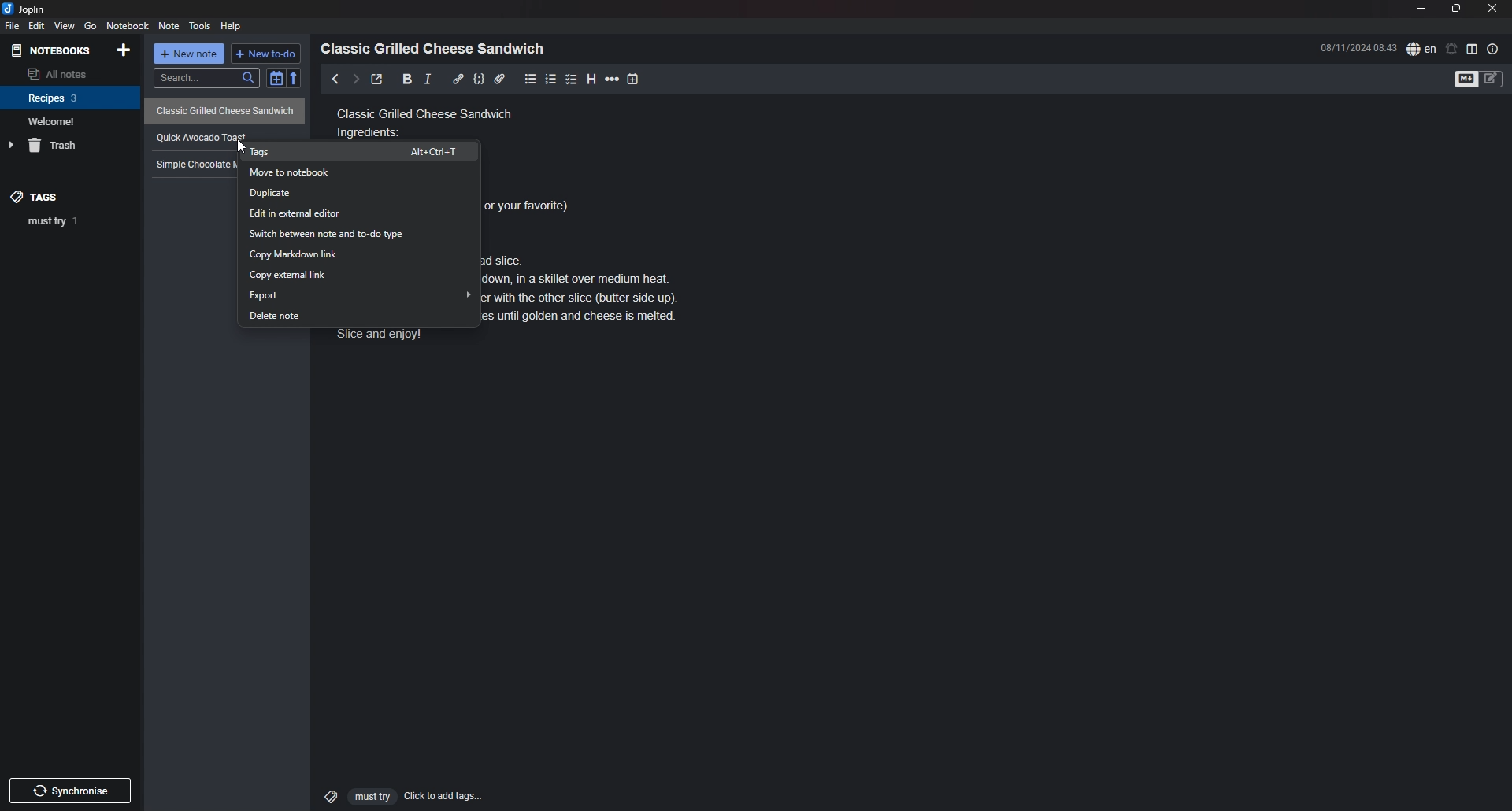  I want to click on time, so click(1358, 47).